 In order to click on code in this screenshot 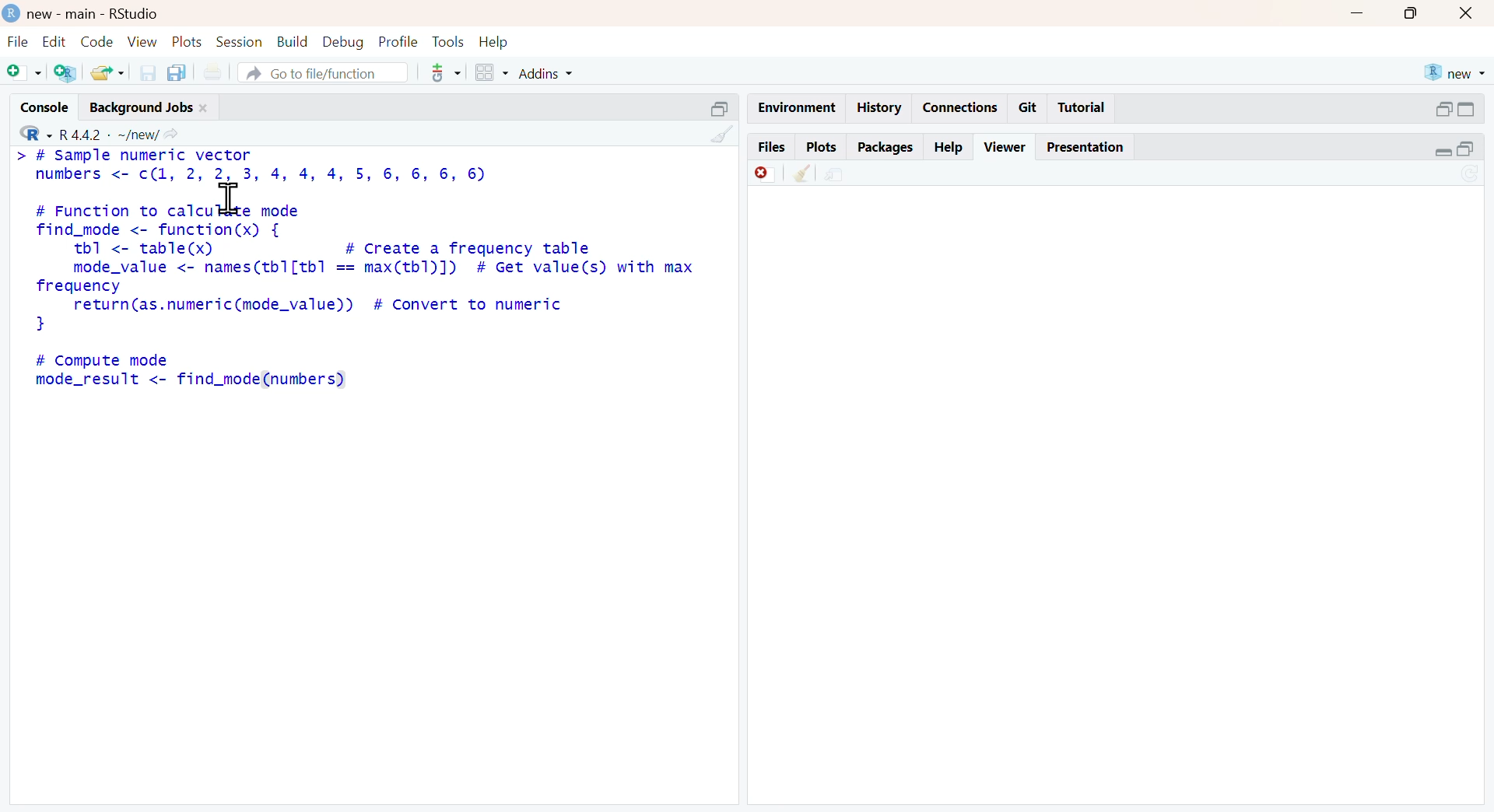, I will do `click(97, 41)`.